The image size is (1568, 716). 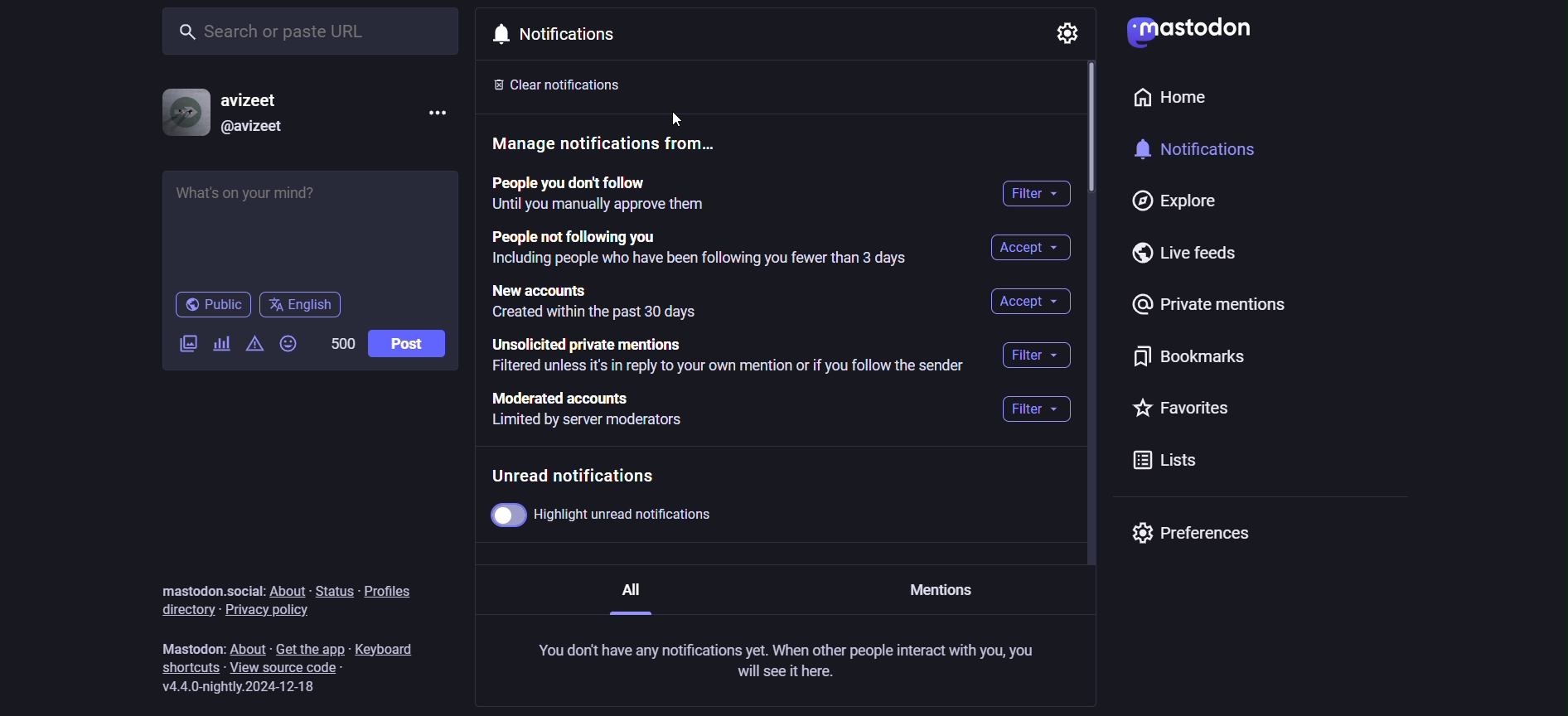 I want to click on new accounts, so click(x=603, y=301).